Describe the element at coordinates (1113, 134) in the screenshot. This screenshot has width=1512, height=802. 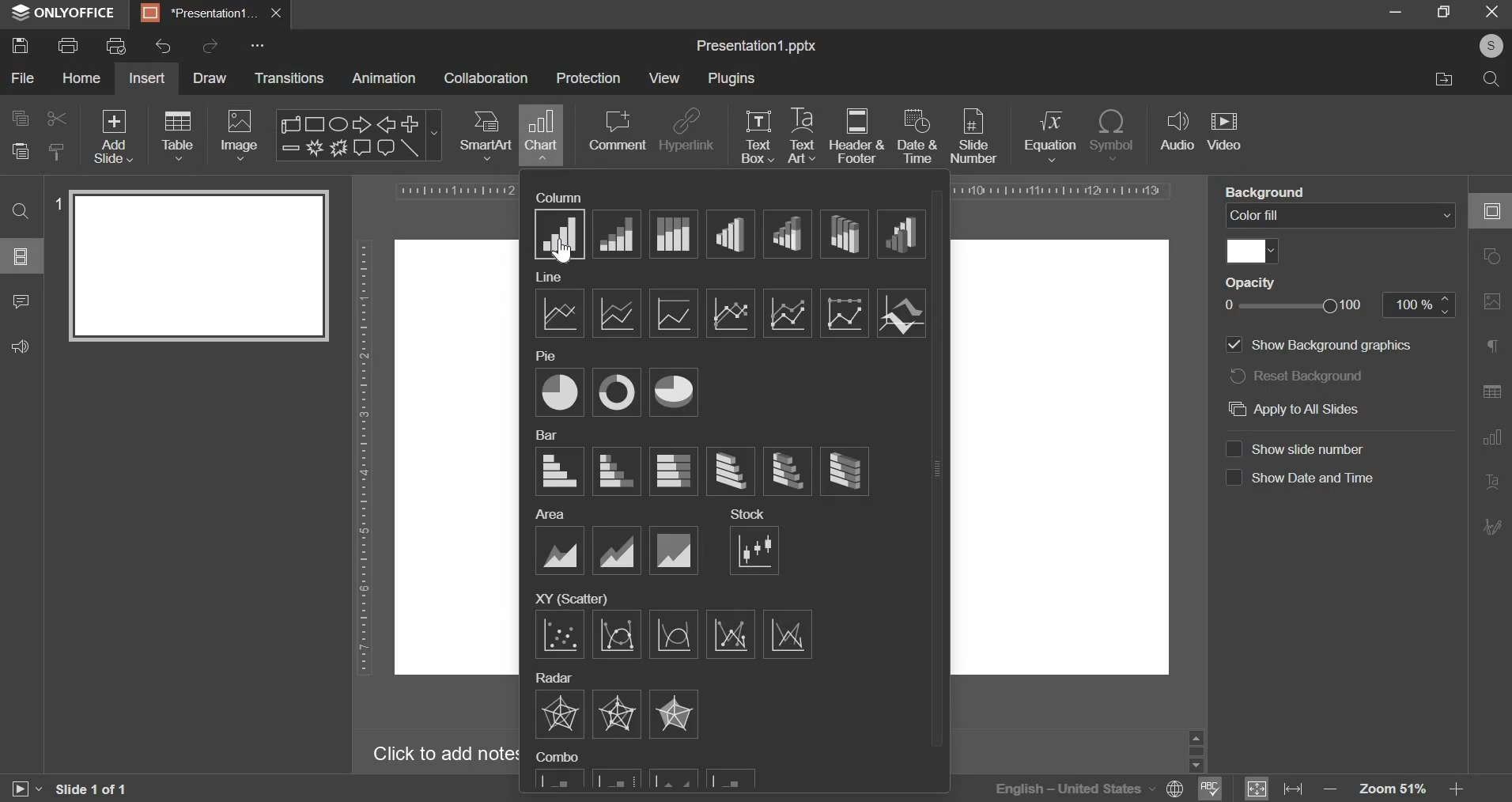
I see `symbol` at that location.